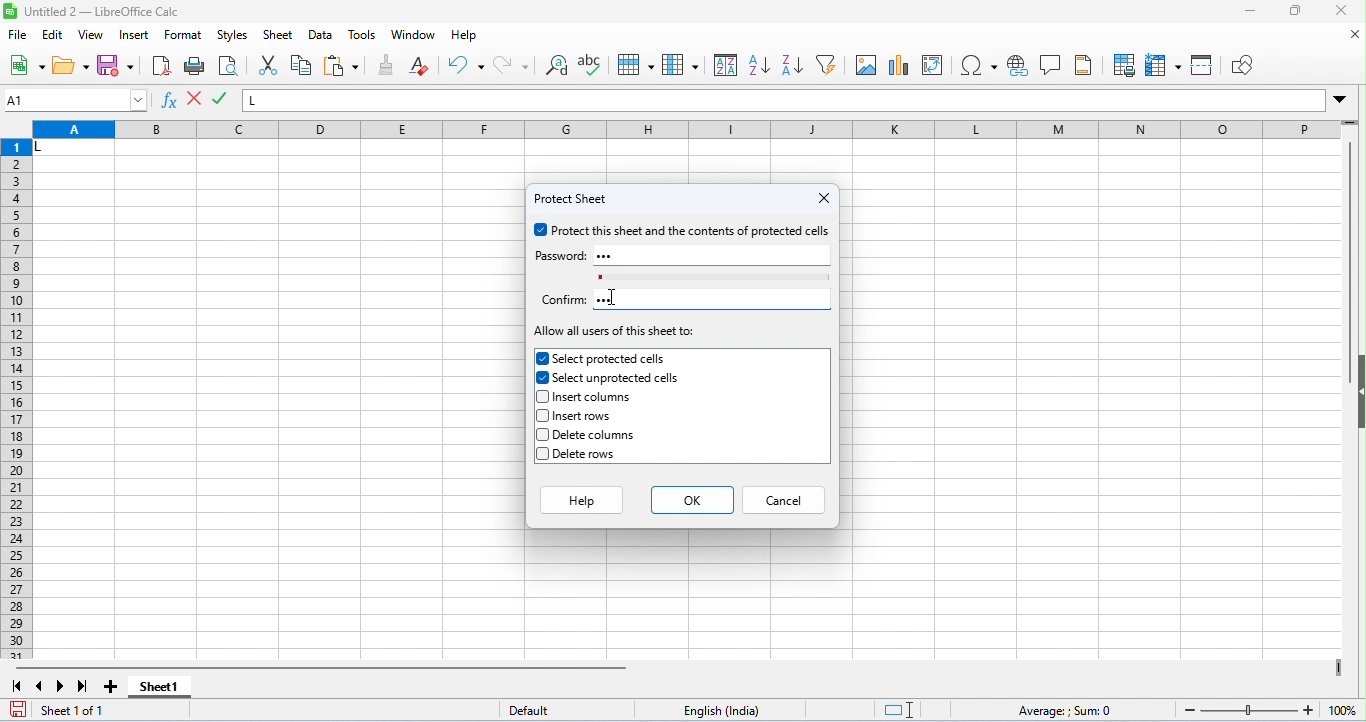 The width and height of the screenshot is (1366, 722). What do you see at coordinates (726, 64) in the screenshot?
I see `sort` at bounding box center [726, 64].